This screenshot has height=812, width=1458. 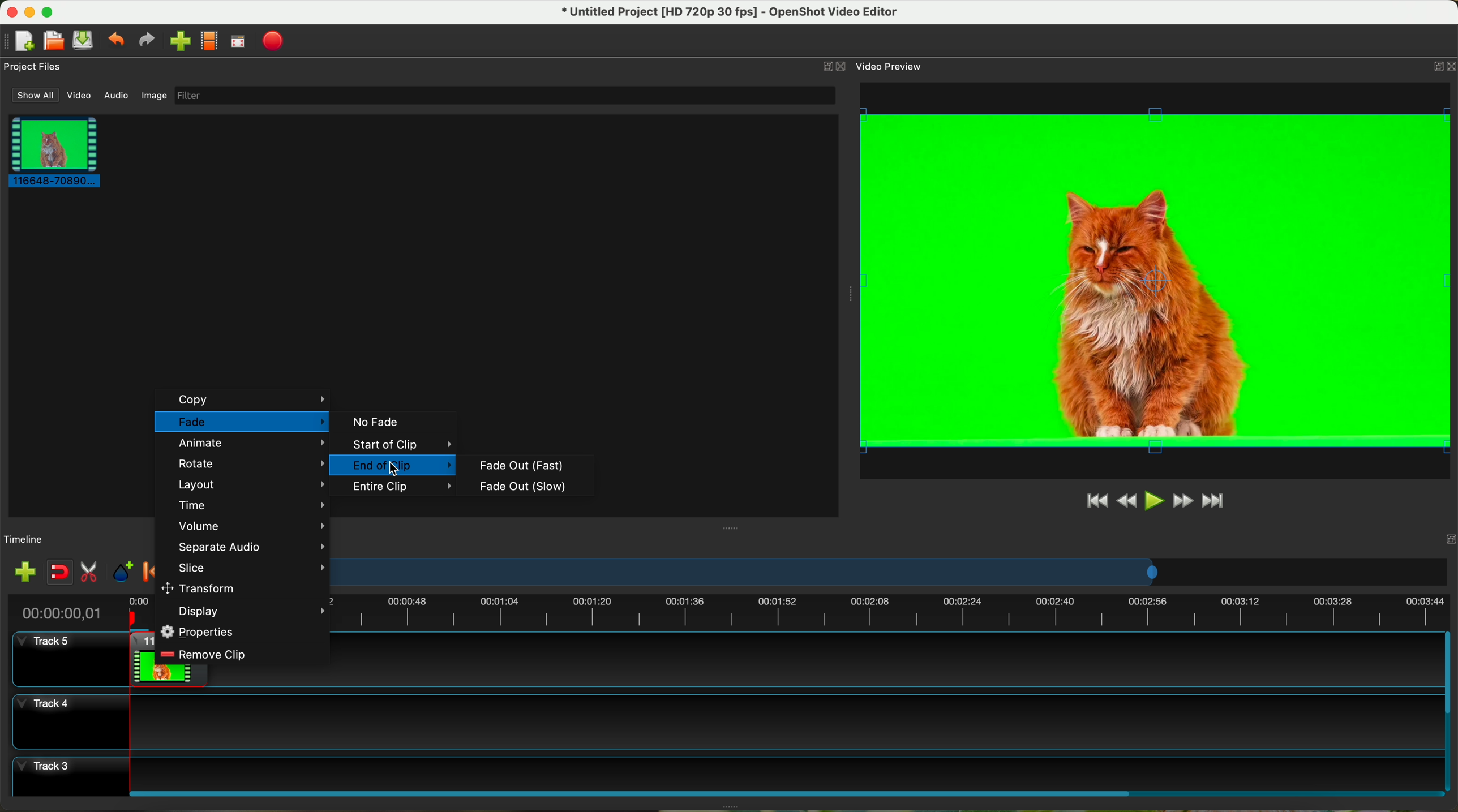 I want to click on click on import file, so click(x=177, y=37).